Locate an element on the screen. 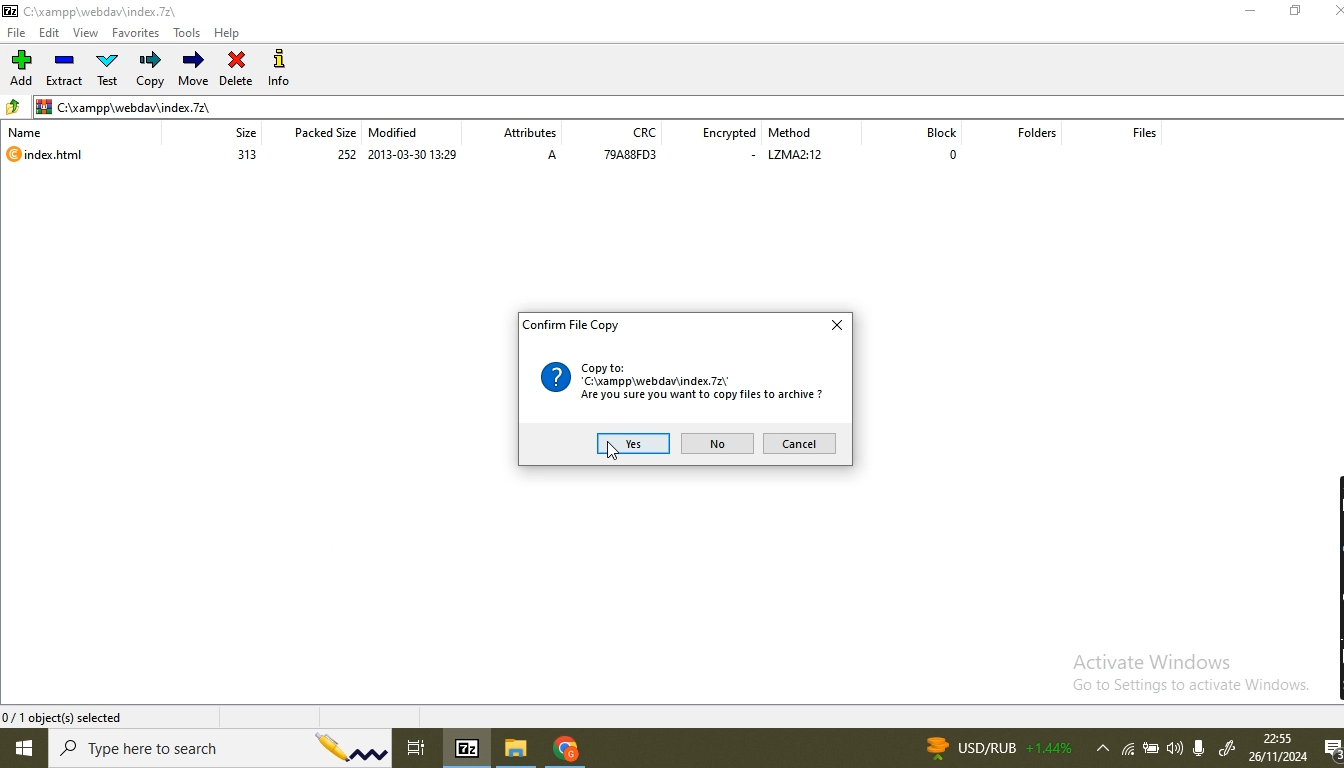  block is located at coordinates (927, 132).